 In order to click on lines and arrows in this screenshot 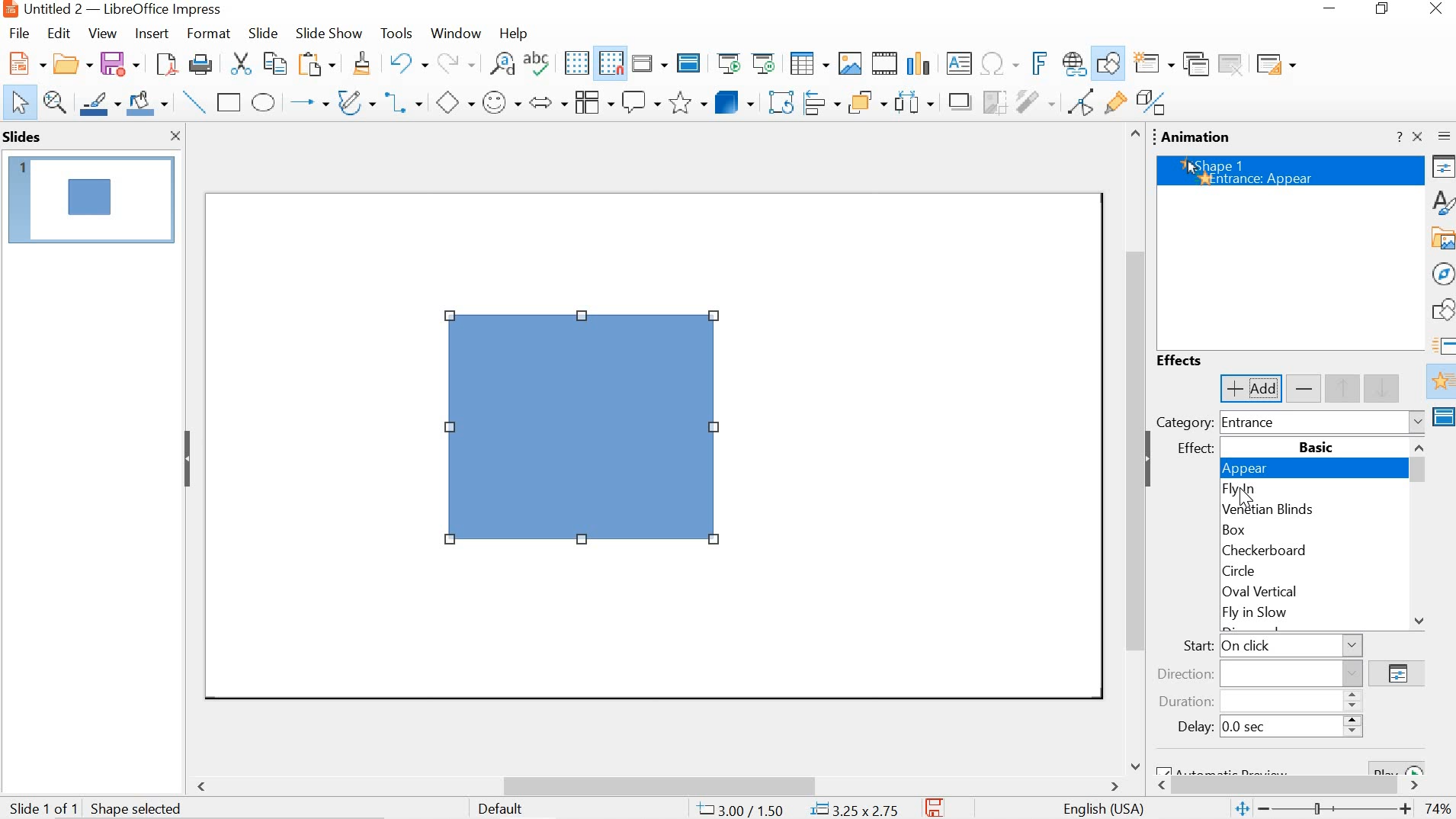, I will do `click(306, 101)`.